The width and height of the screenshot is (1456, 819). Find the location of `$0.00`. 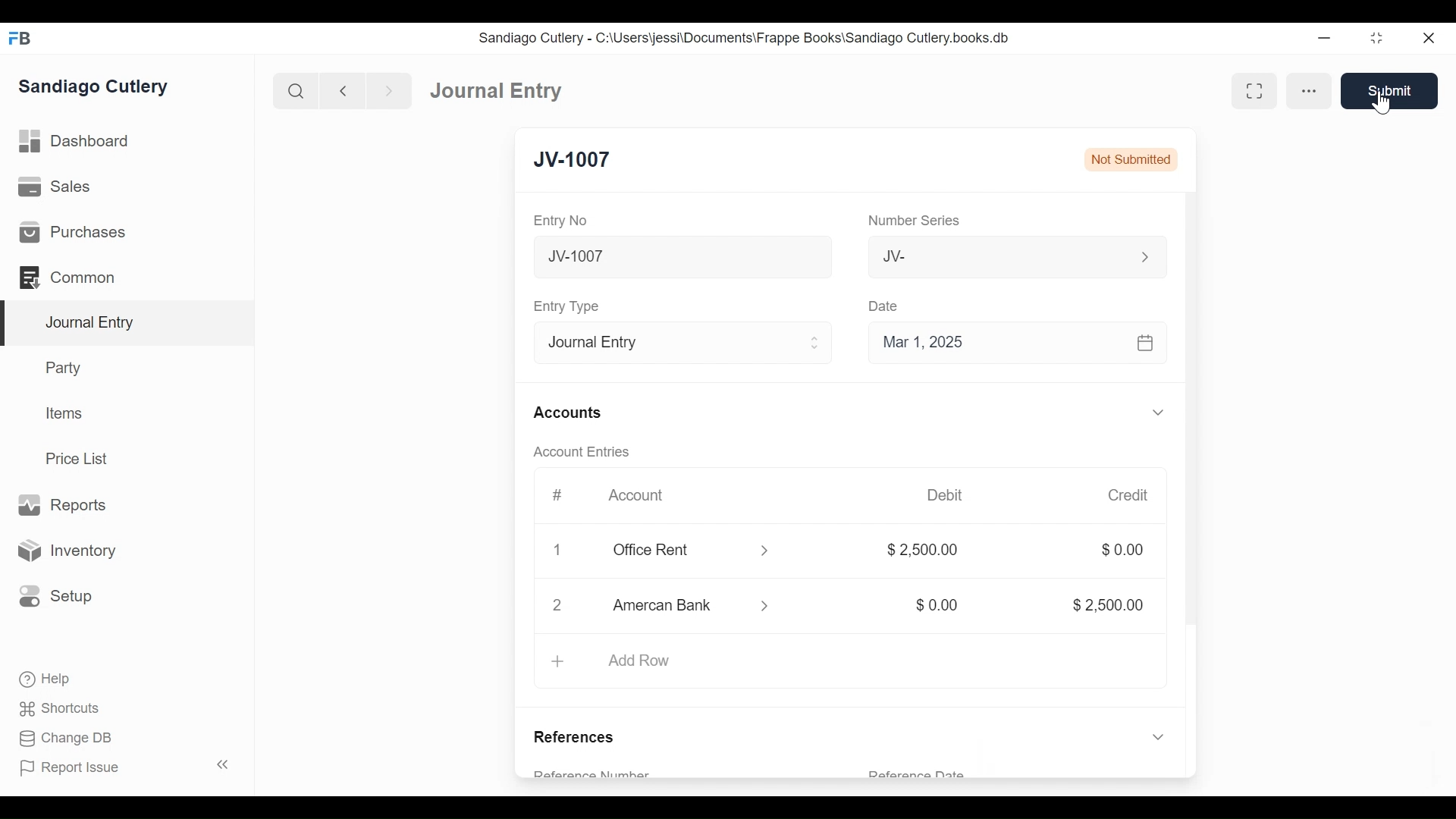

$0.00 is located at coordinates (1122, 551).